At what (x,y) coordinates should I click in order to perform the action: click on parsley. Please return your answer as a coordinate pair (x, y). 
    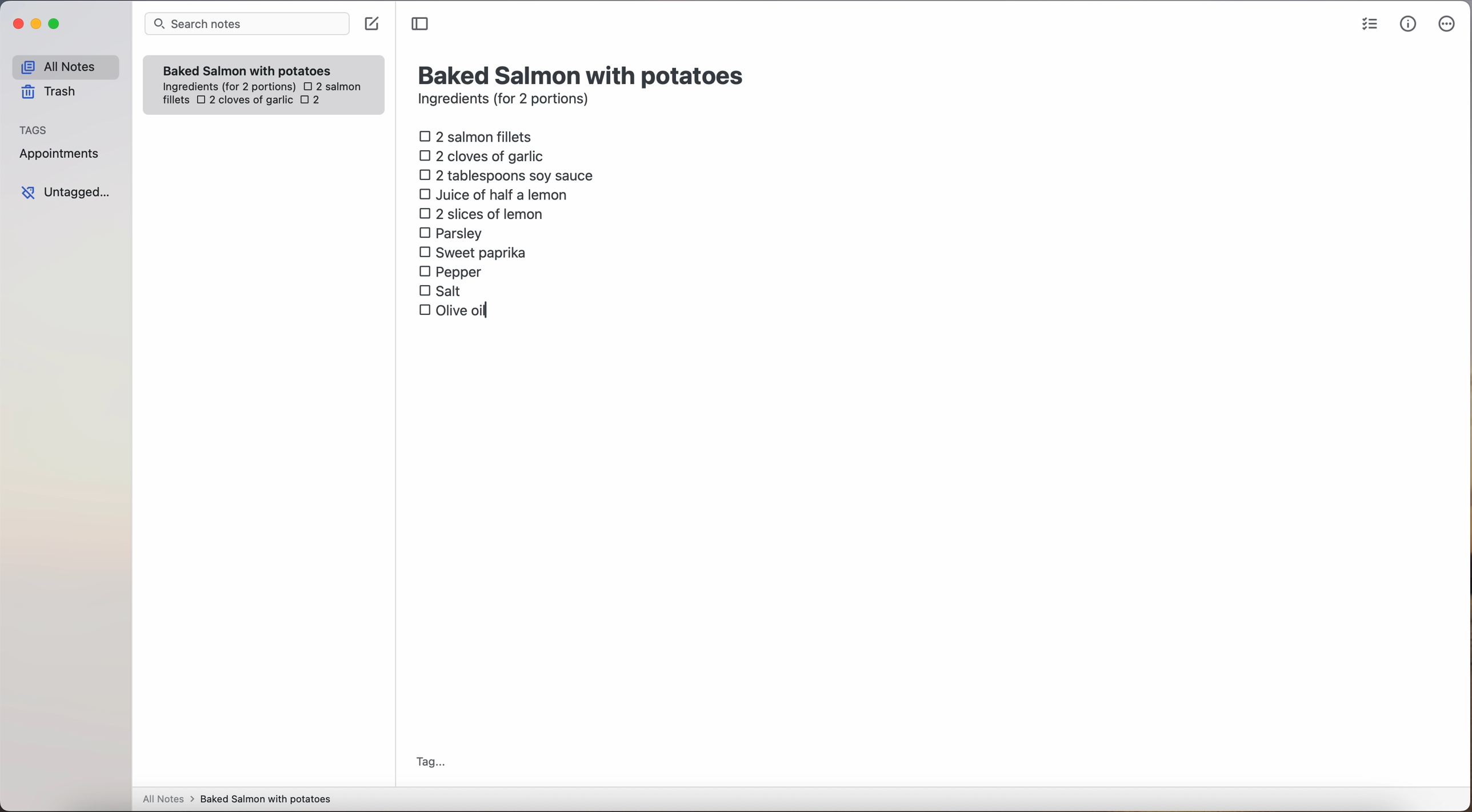
    Looking at the image, I should click on (451, 232).